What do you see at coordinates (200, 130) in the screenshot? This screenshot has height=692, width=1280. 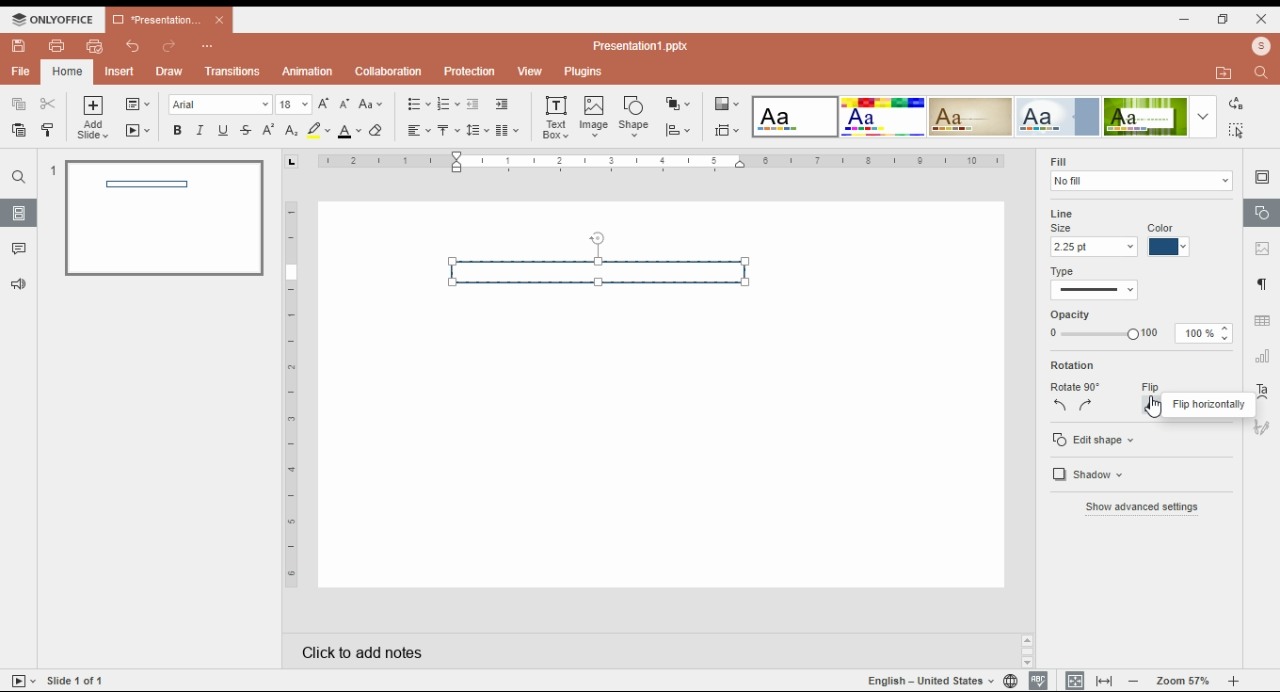 I see `italics` at bounding box center [200, 130].